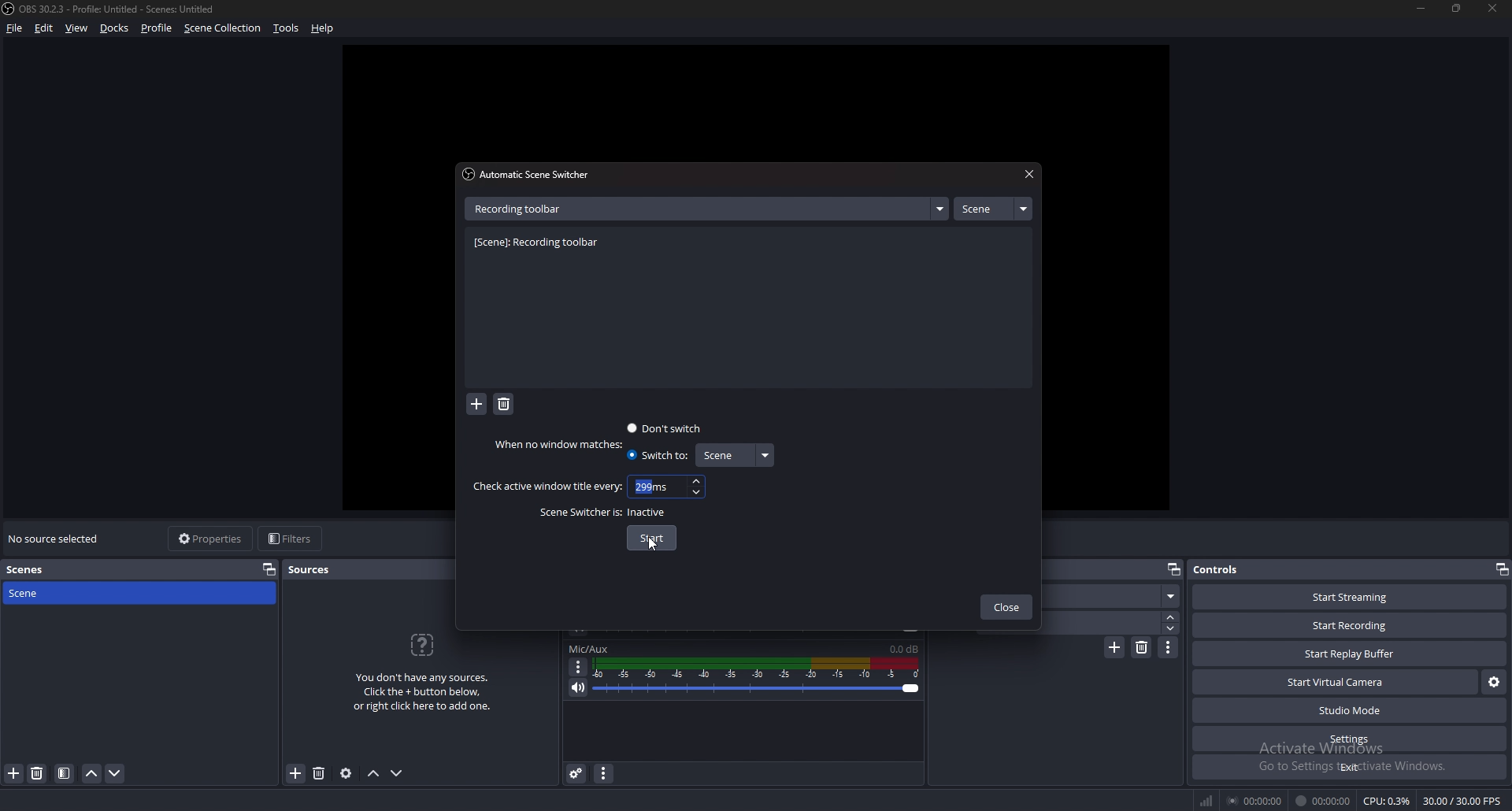 The image size is (1512, 811). What do you see at coordinates (323, 29) in the screenshot?
I see `help` at bounding box center [323, 29].